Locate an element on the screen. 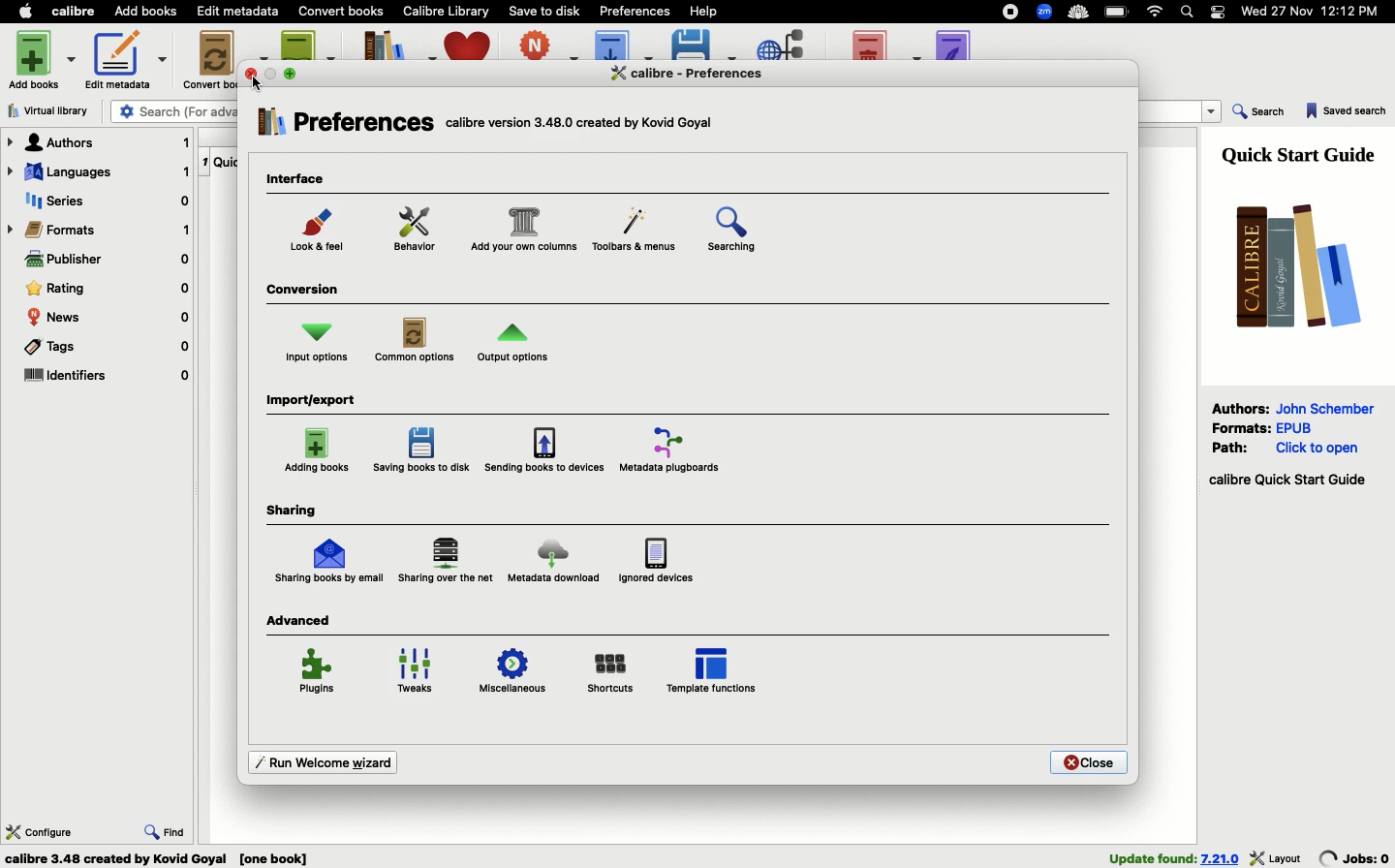 This screenshot has height=868, width=1395. Import export is located at coordinates (316, 401).